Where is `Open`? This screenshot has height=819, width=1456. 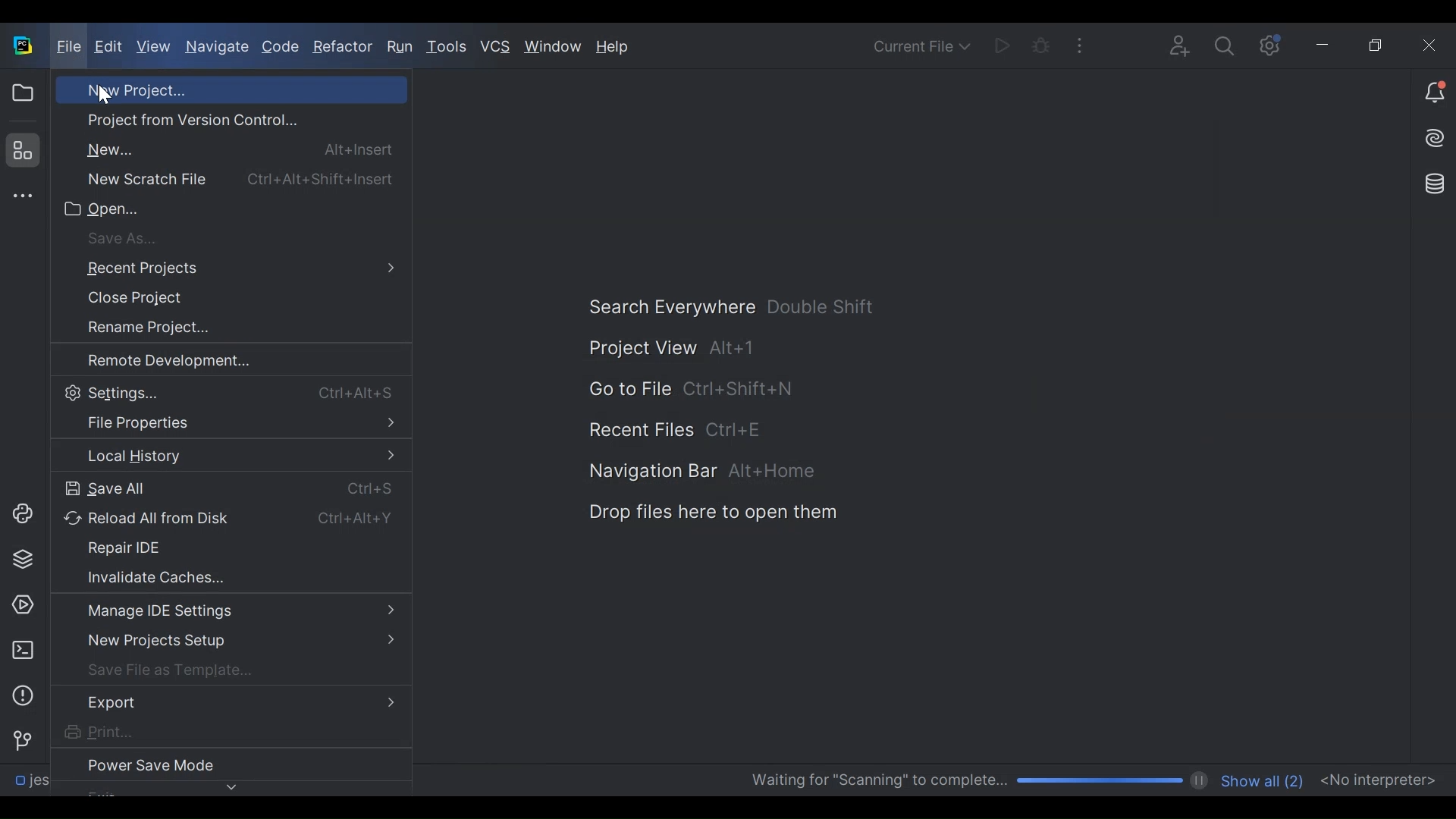 Open is located at coordinates (210, 209).